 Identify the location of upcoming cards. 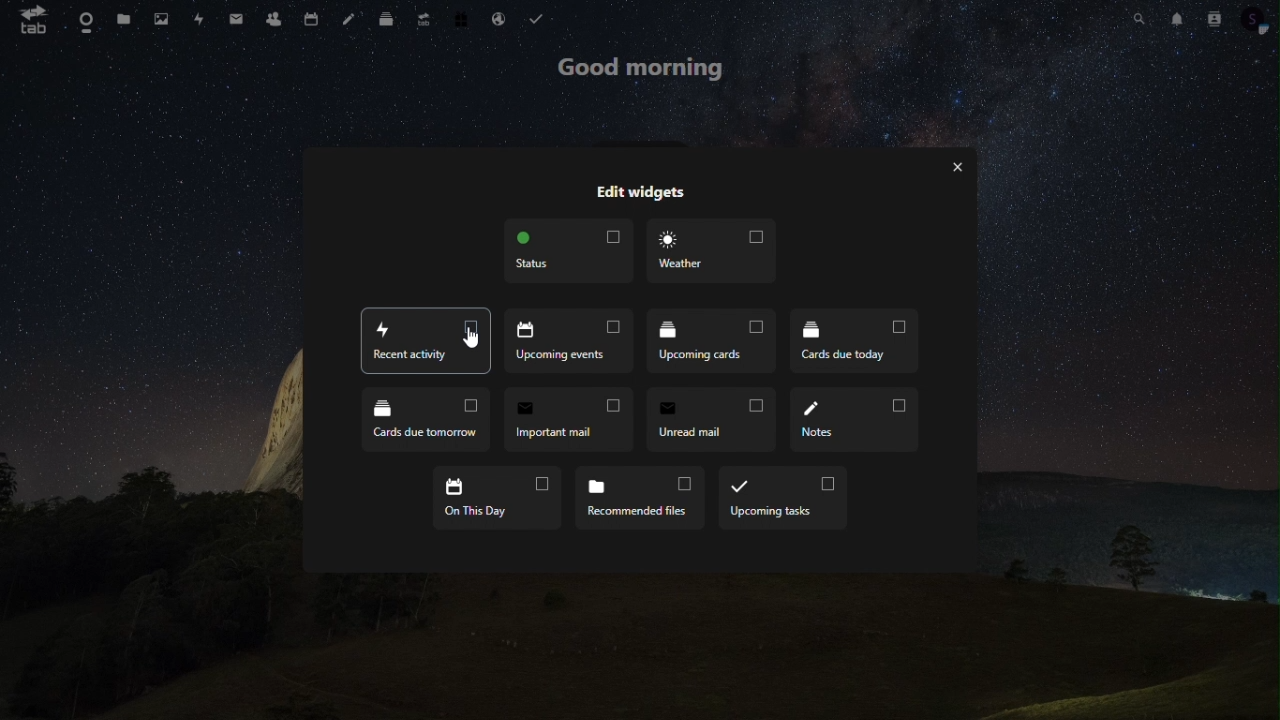
(712, 341).